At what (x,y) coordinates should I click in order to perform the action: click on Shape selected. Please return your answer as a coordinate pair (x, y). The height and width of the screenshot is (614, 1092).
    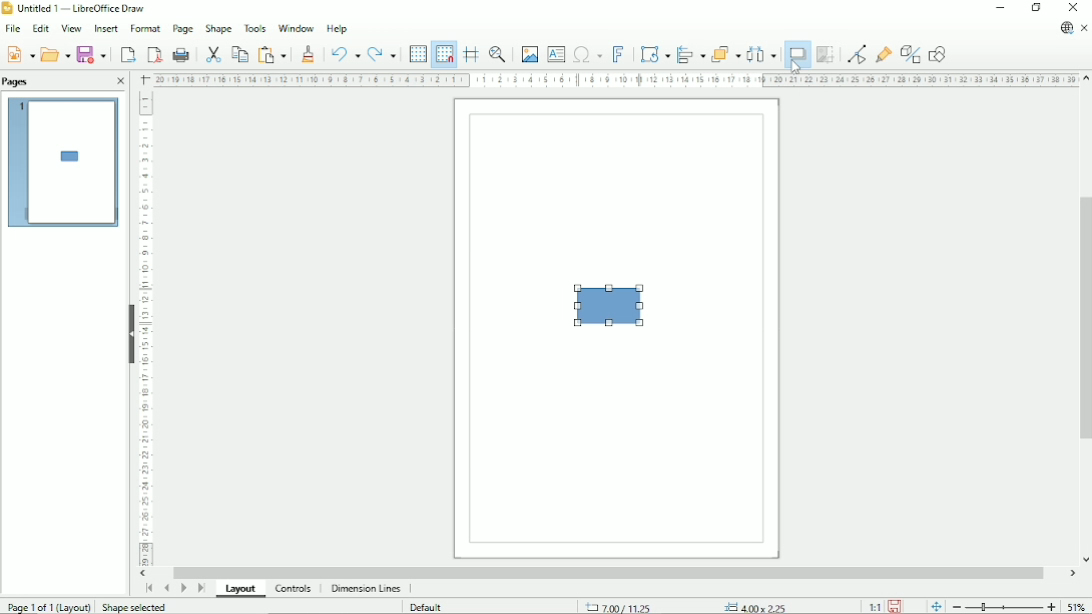
    Looking at the image, I should click on (134, 607).